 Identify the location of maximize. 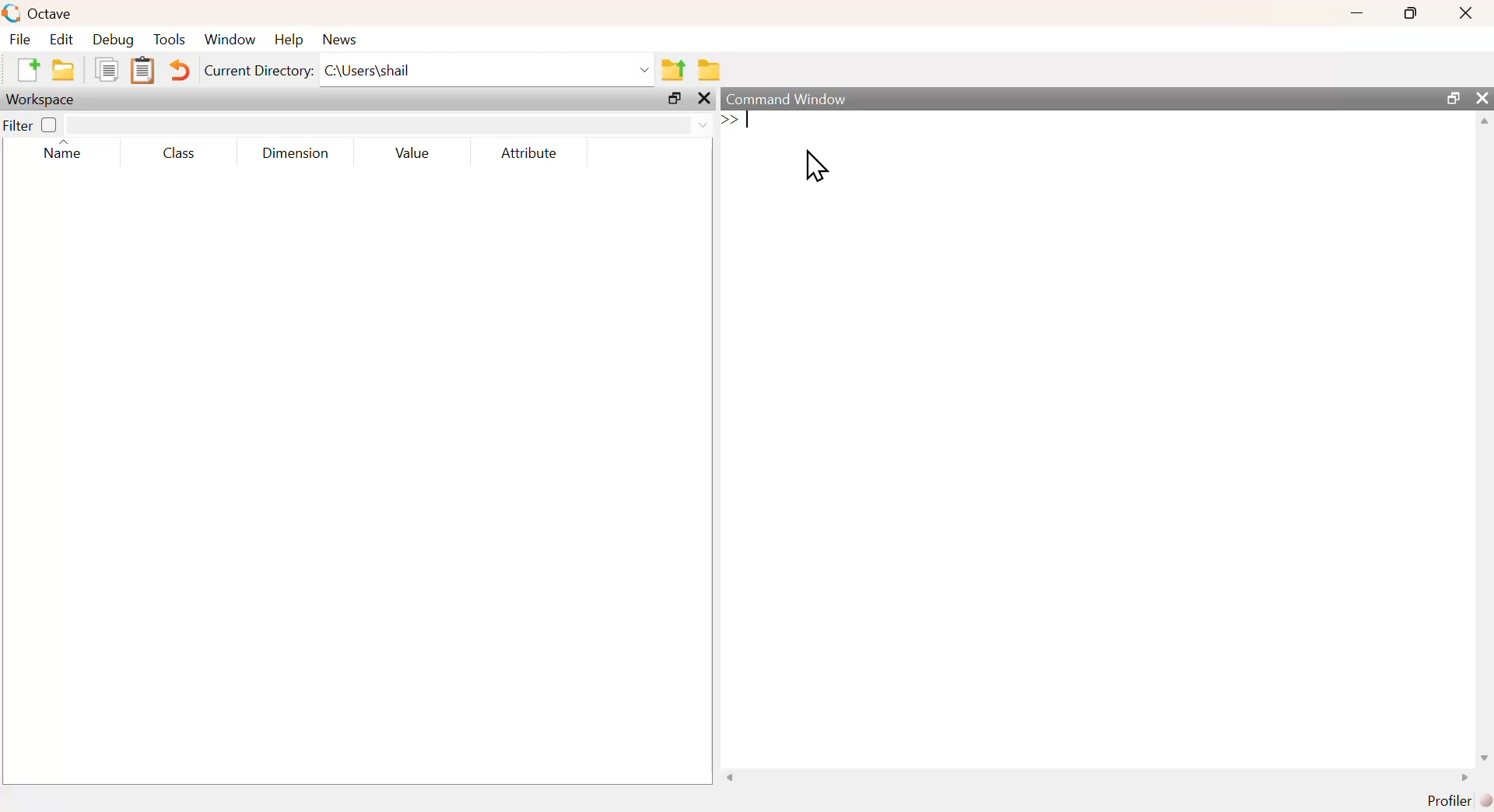
(1453, 100).